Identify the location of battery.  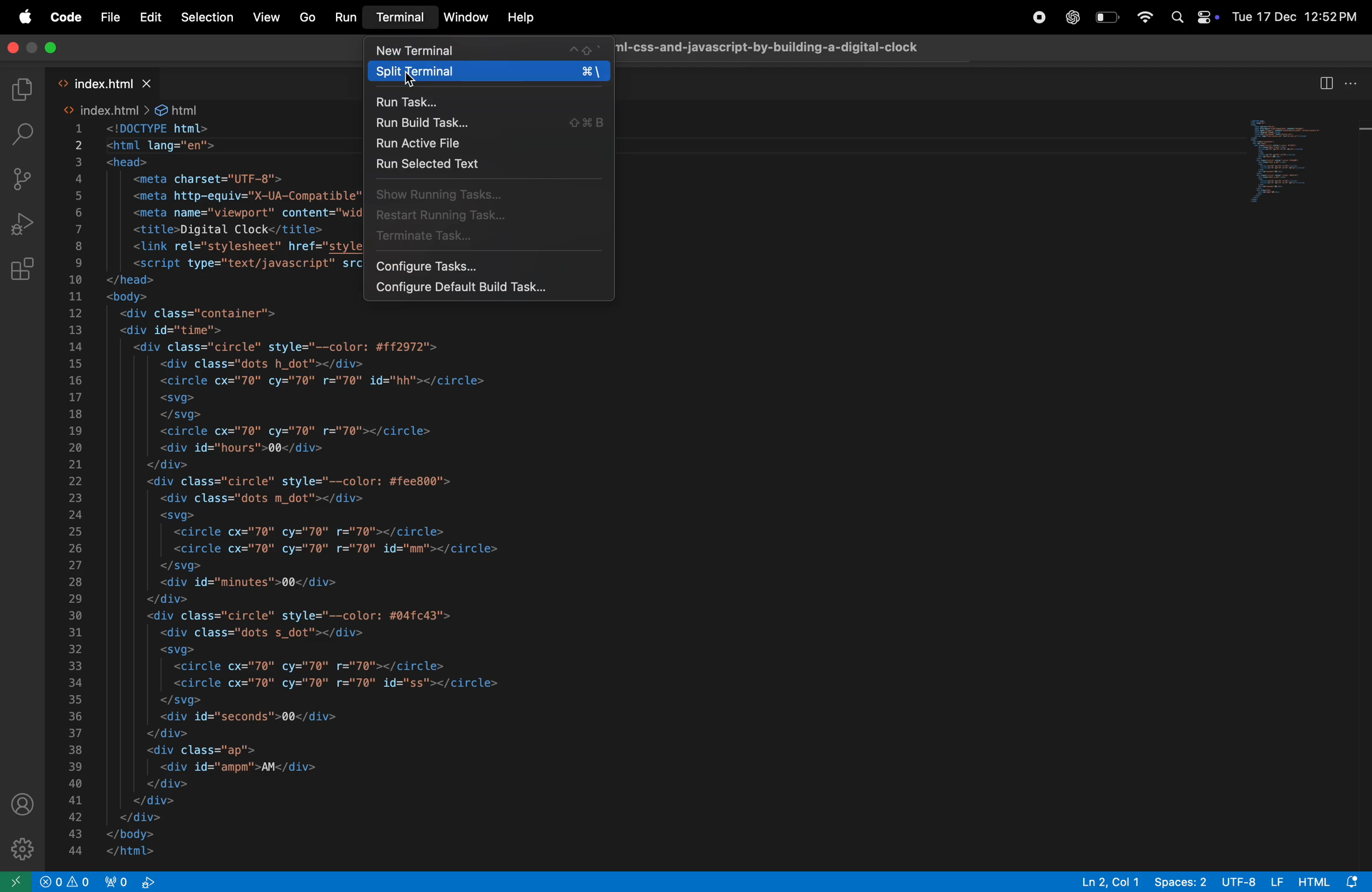
(1106, 16).